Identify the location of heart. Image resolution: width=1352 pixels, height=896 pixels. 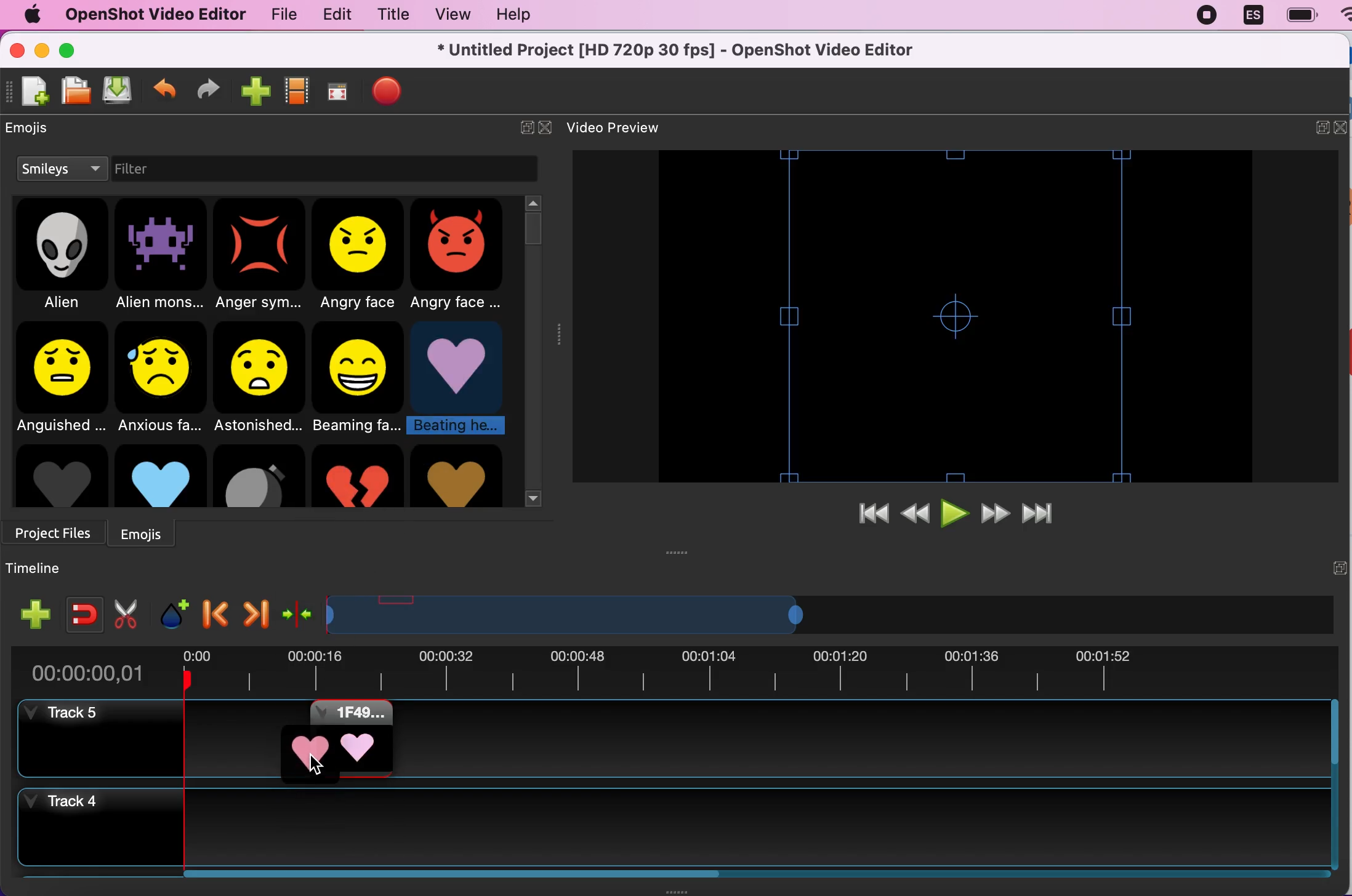
(456, 476).